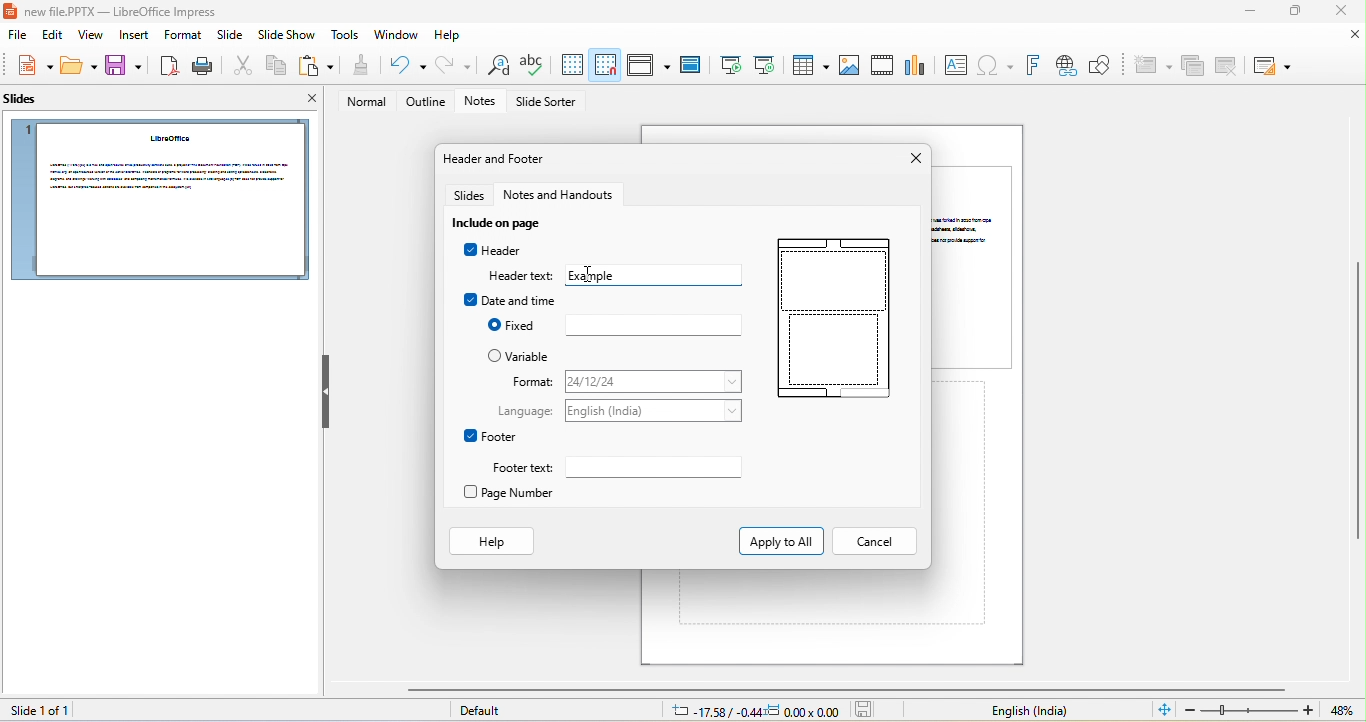  What do you see at coordinates (470, 196) in the screenshot?
I see `slides` at bounding box center [470, 196].